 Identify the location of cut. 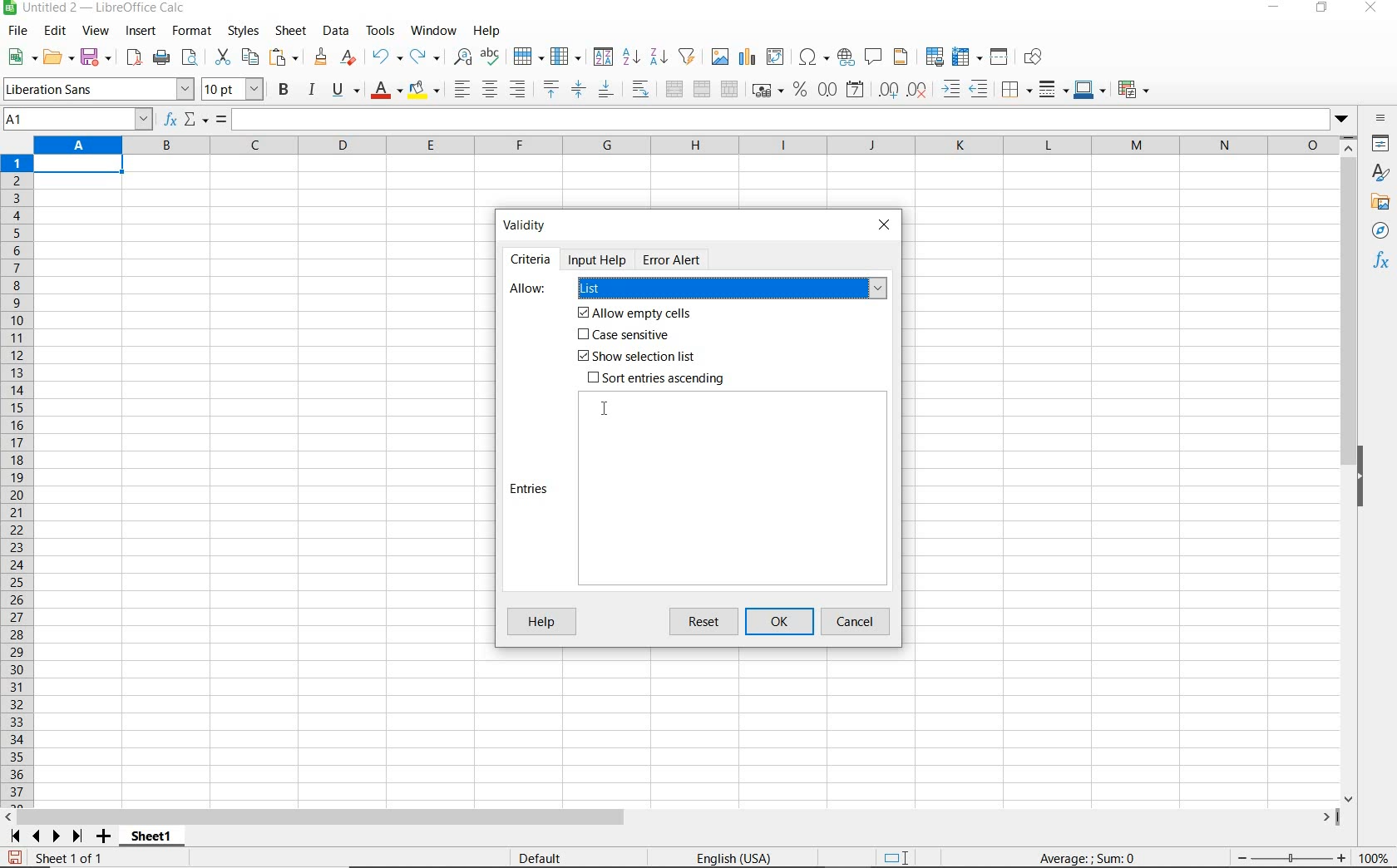
(222, 57).